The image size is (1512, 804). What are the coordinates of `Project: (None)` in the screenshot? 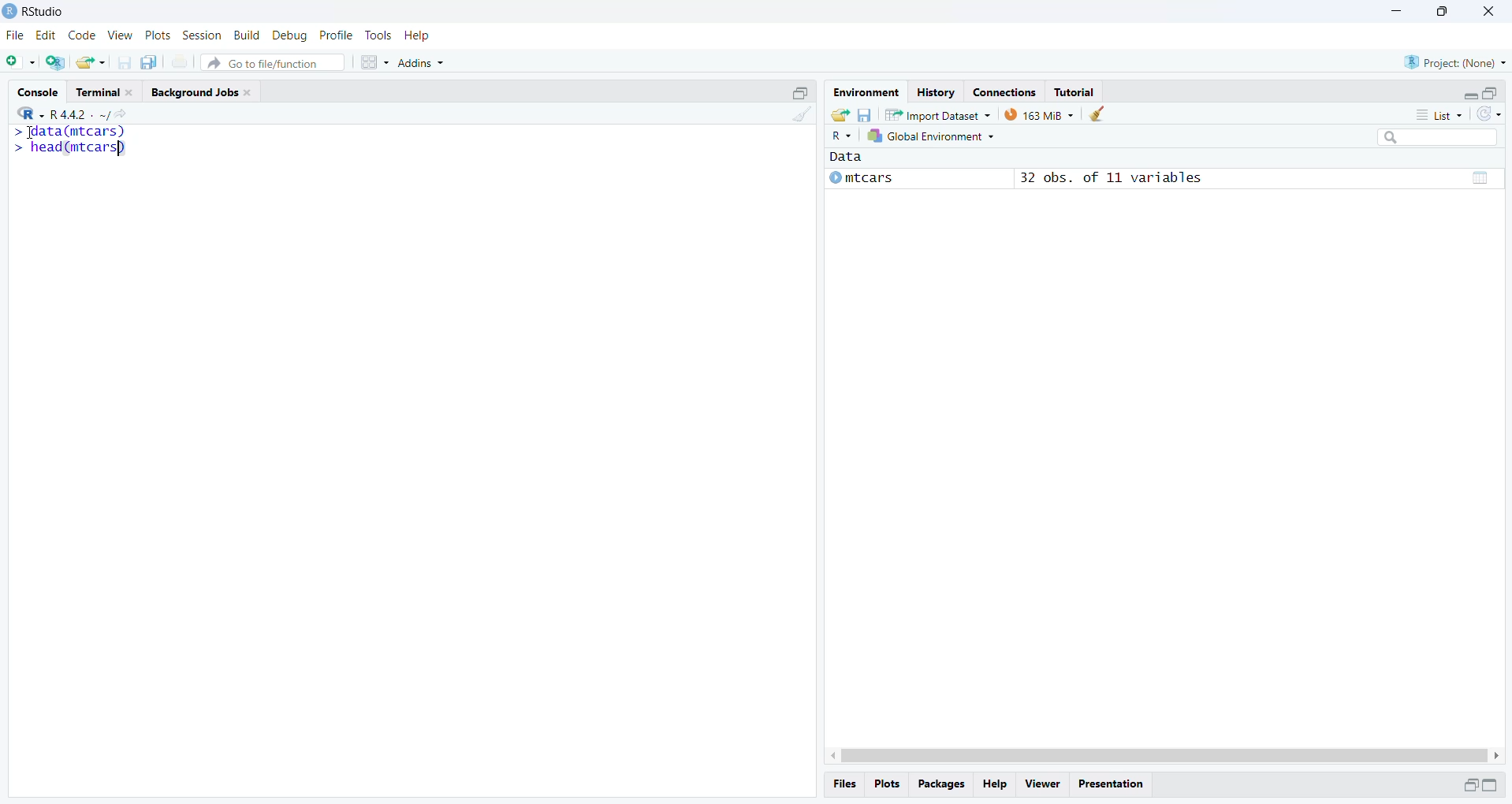 It's located at (1455, 62).